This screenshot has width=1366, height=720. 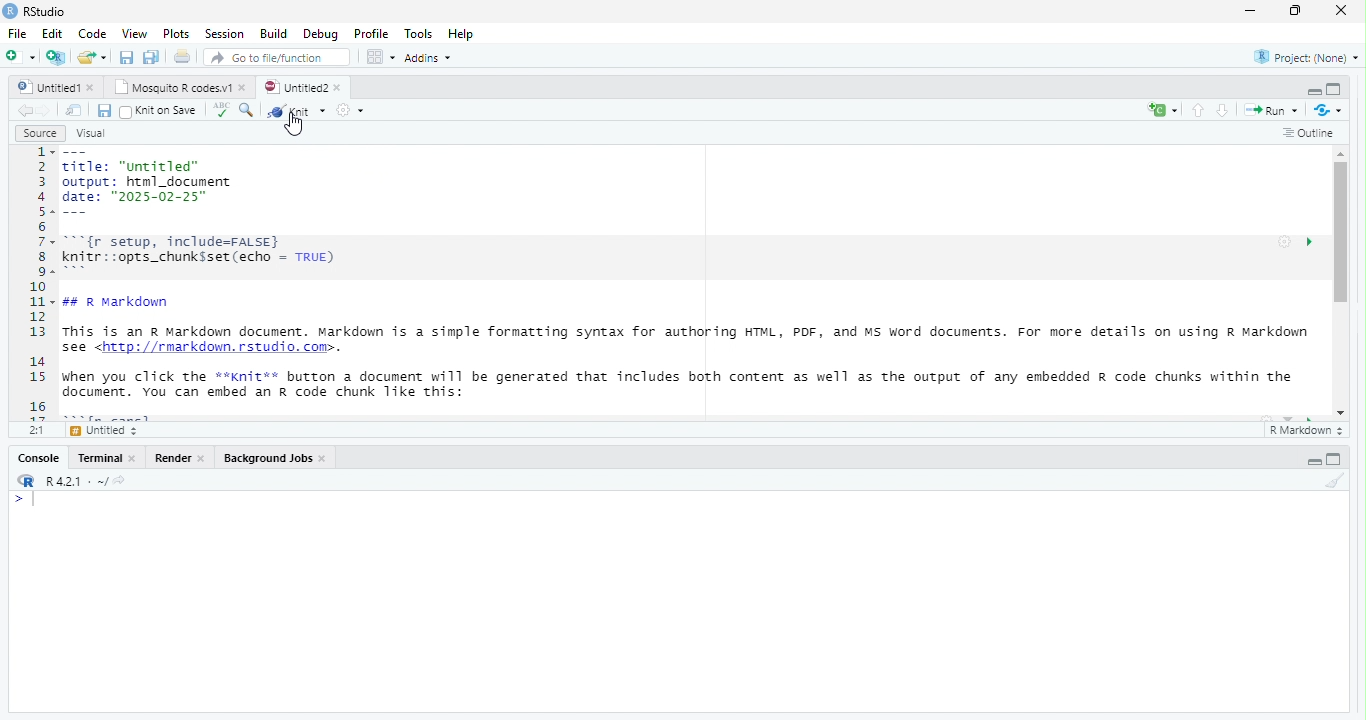 I want to click on grid, so click(x=381, y=56).